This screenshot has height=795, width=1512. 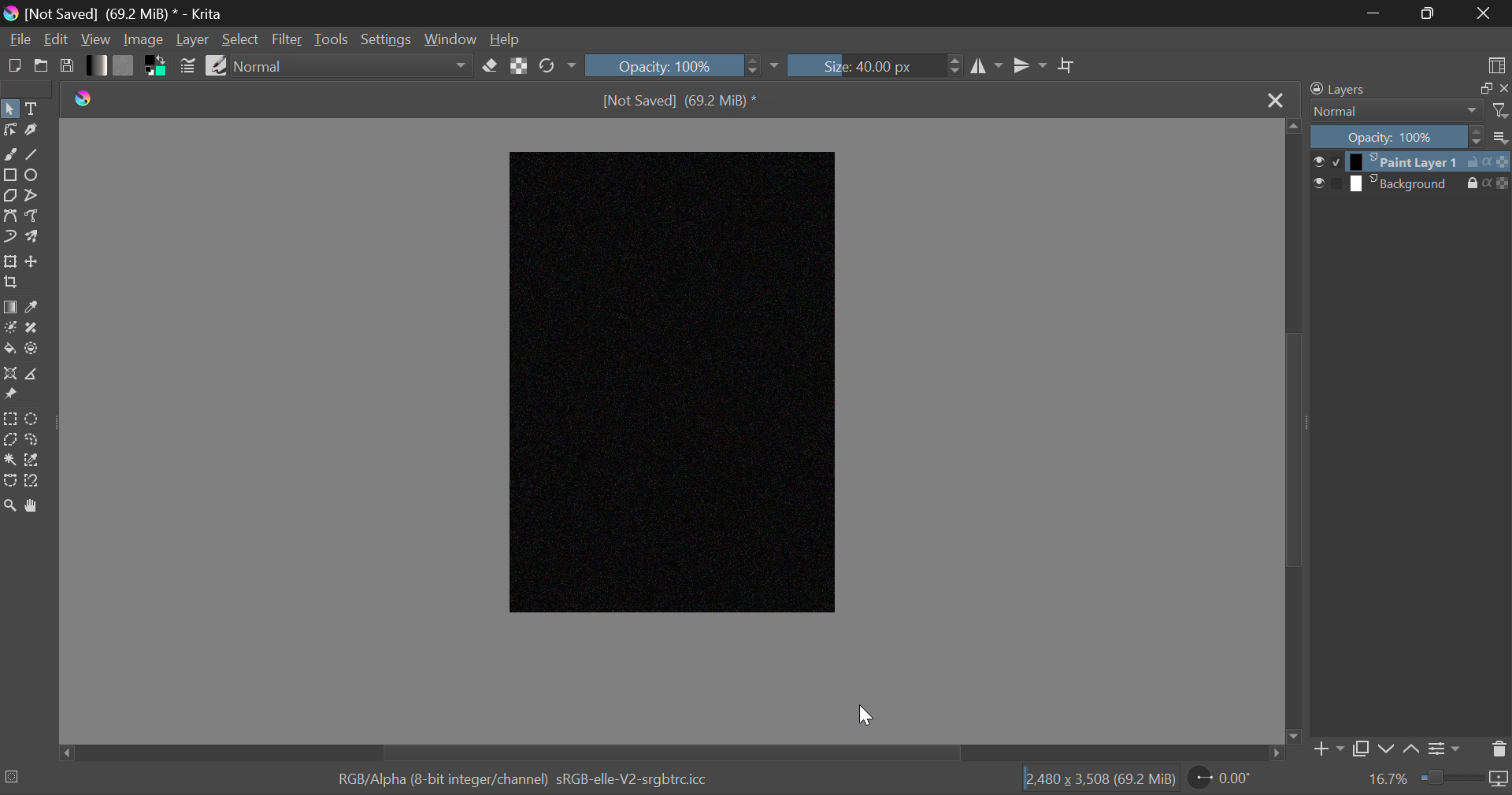 What do you see at coordinates (556, 66) in the screenshot?
I see `Rotate Image` at bounding box center [556, 66].